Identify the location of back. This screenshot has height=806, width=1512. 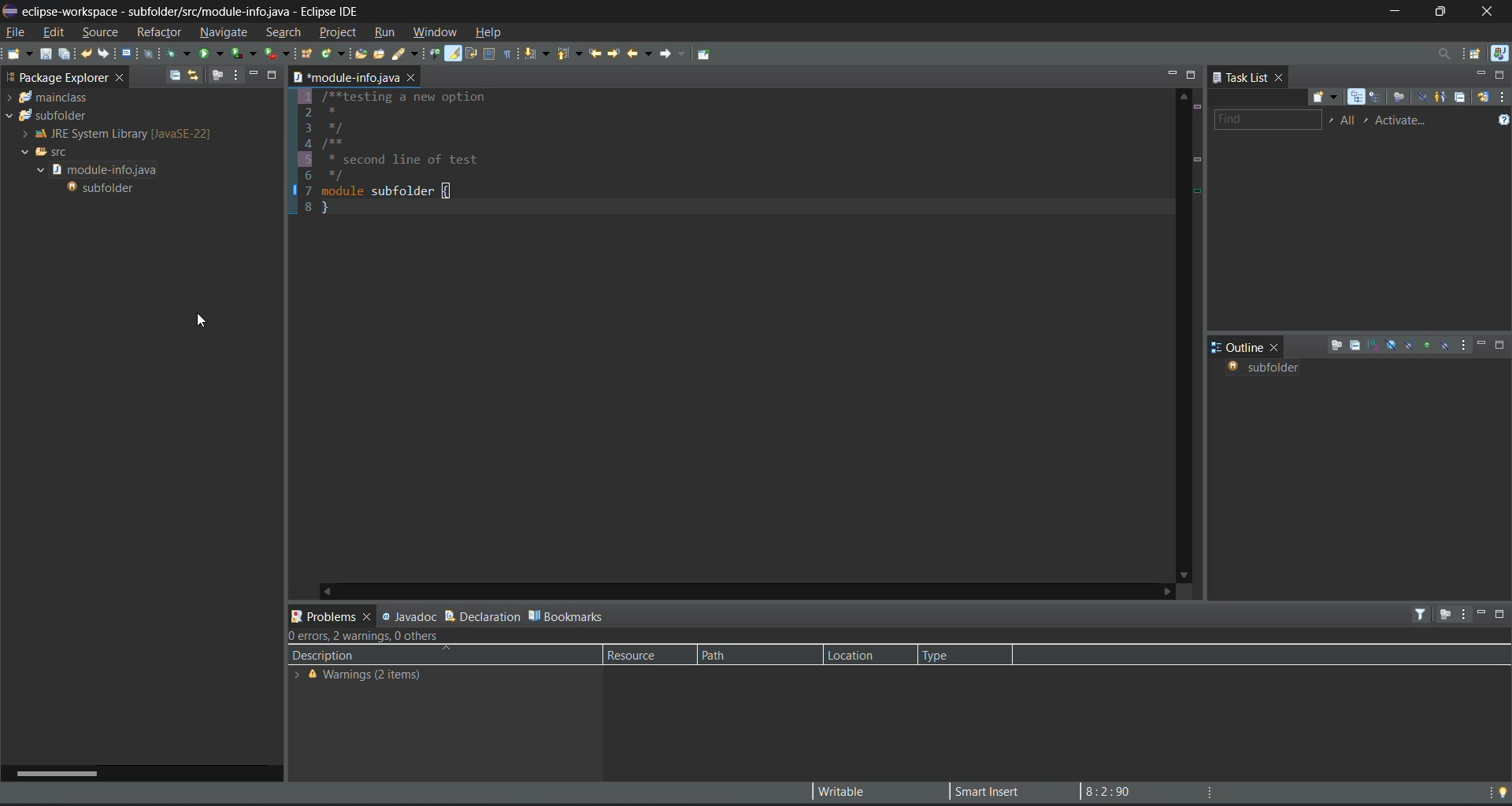
(636, 53).